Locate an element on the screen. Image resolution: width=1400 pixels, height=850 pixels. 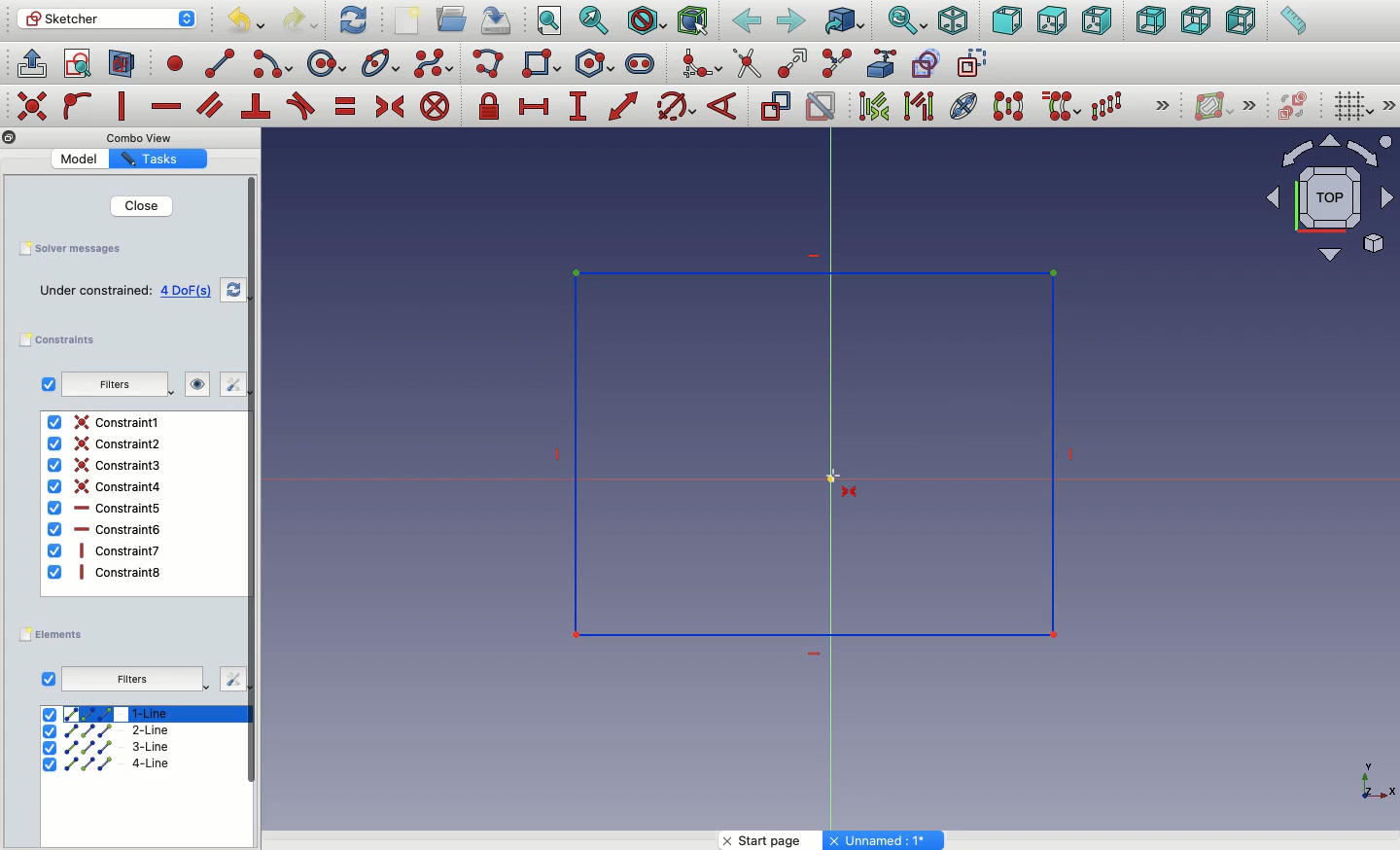
Combo View is located at coordinates (140, 137).